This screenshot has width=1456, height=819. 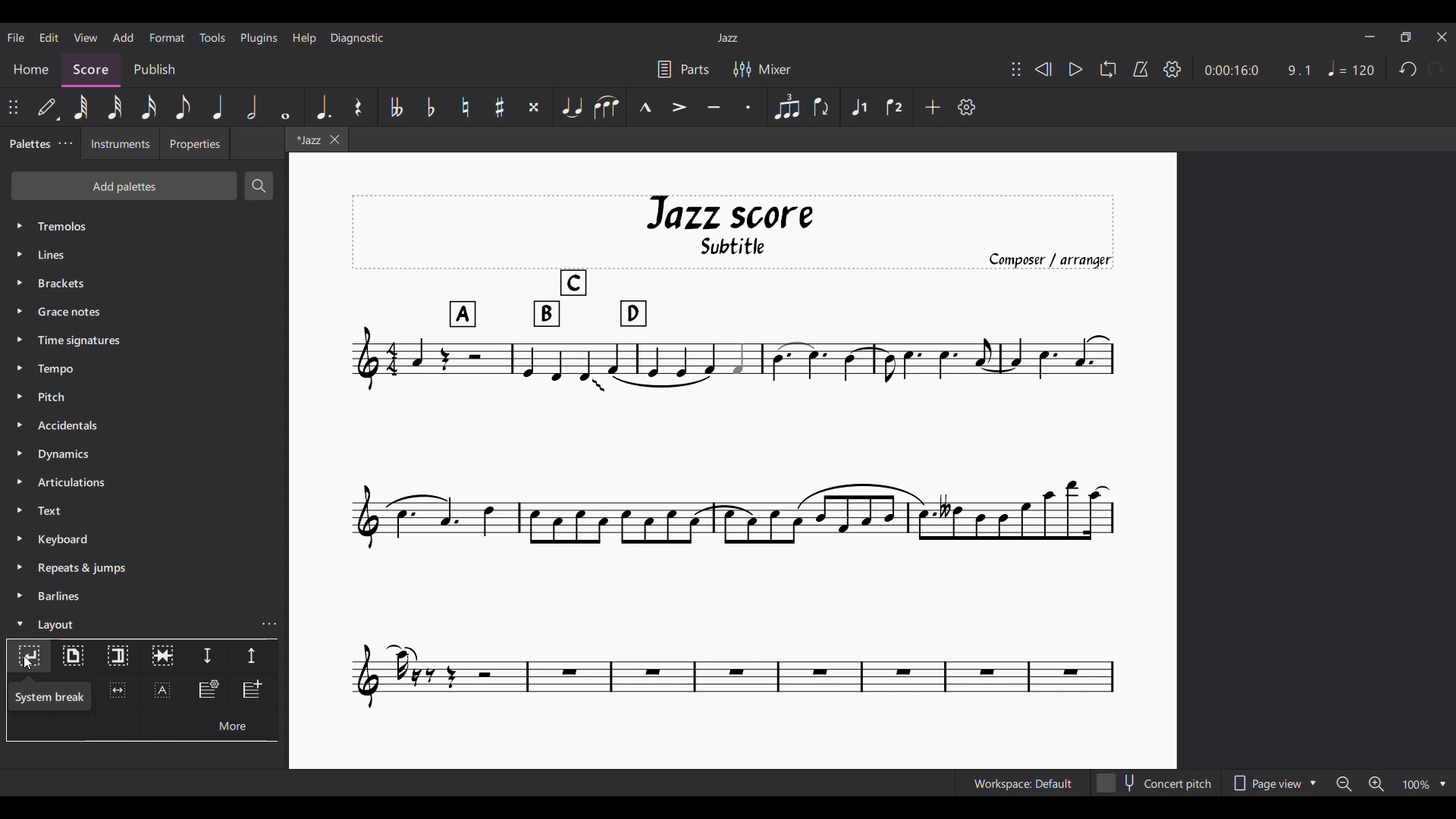 I want to click on Tremolos, so click(x=145, y=226).